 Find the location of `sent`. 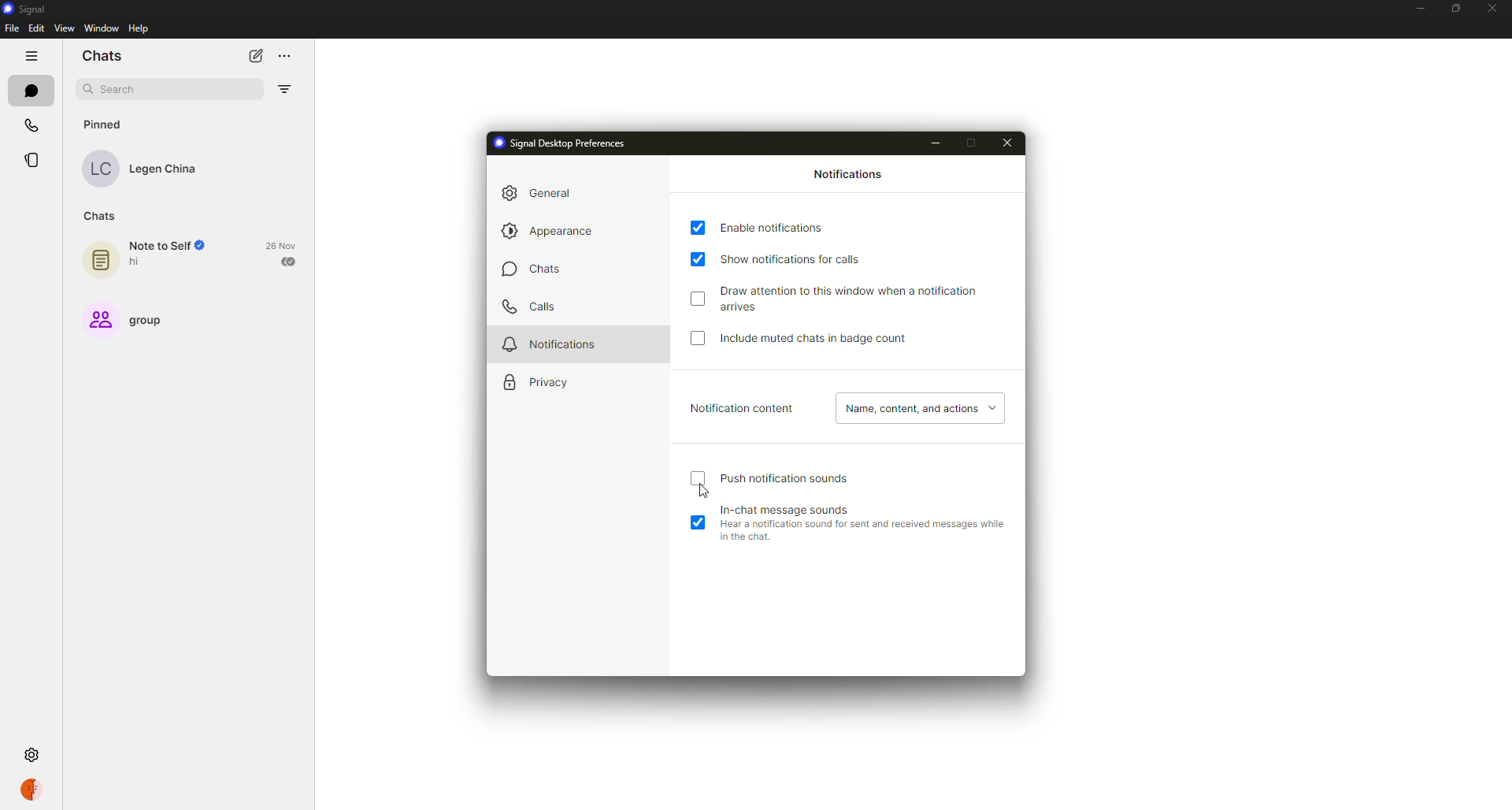

sent is located at coordinates (290, 261).